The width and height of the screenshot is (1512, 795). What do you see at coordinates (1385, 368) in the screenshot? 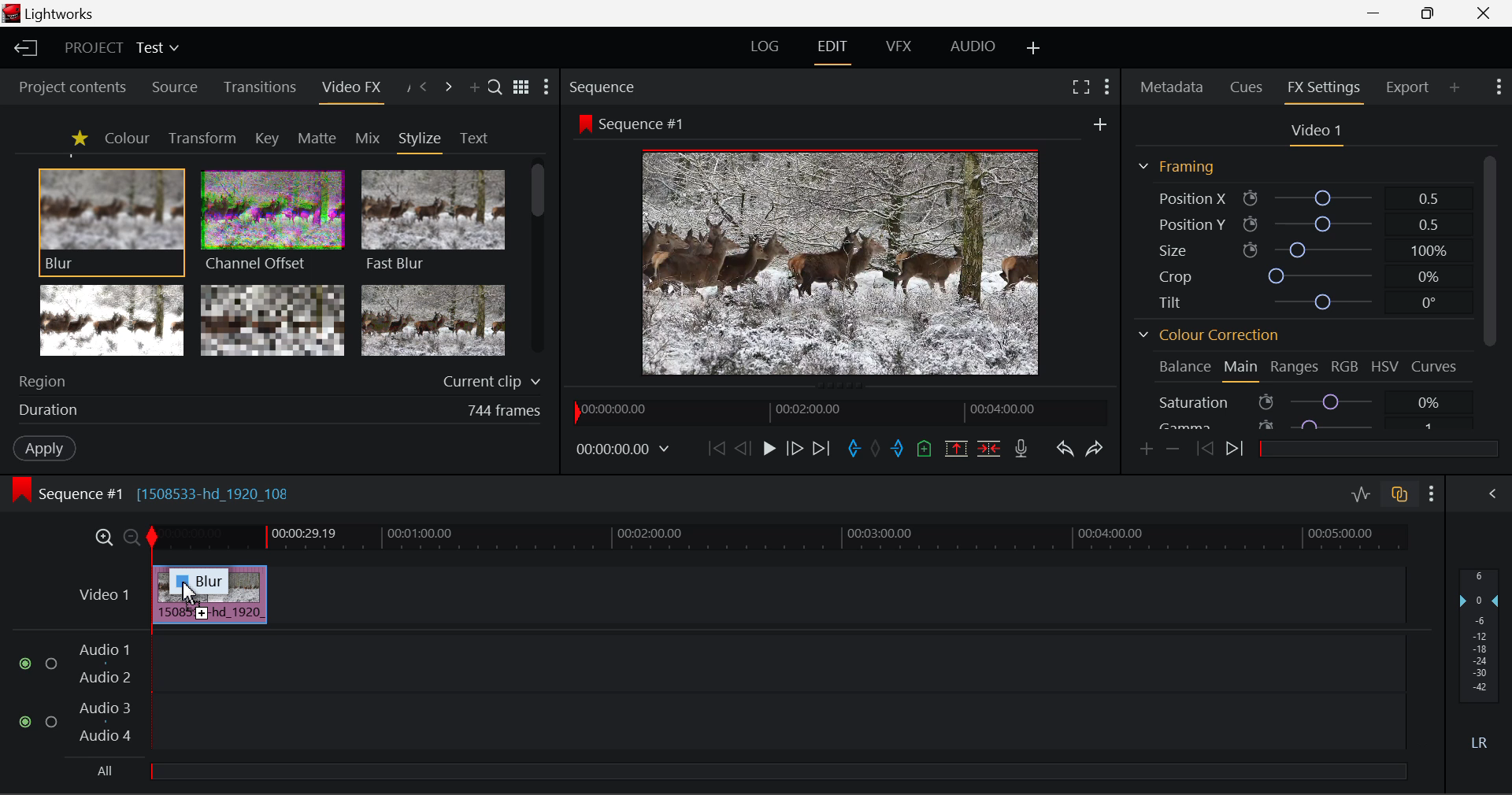
I see `HSV` at bounding box center [1385, 368].